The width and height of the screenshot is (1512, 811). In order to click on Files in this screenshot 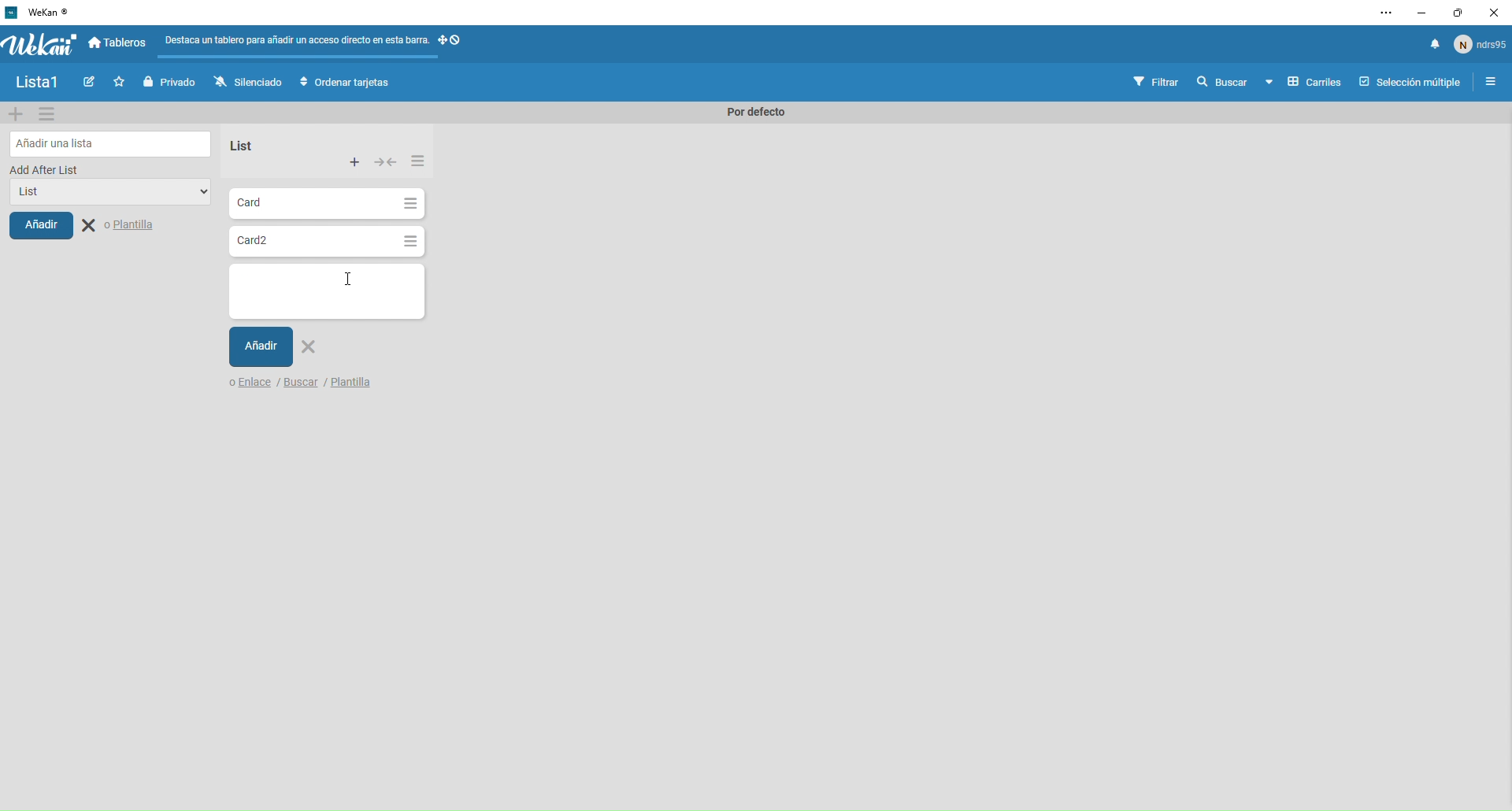, I will do `click(298, 43)`.